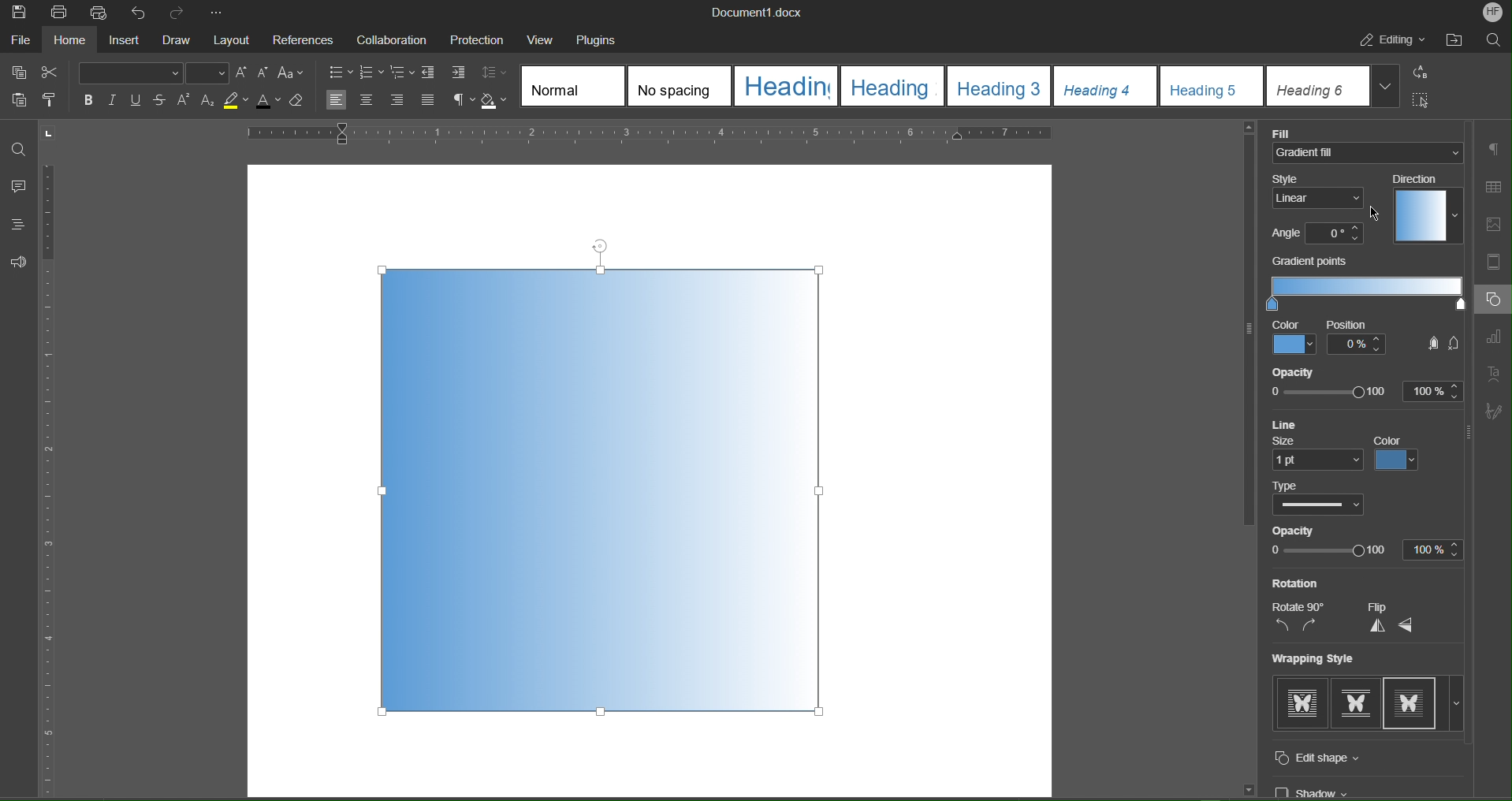 This screenshot has width=1512, height=801. I want to click on Increase Indent, so click(460, 74).